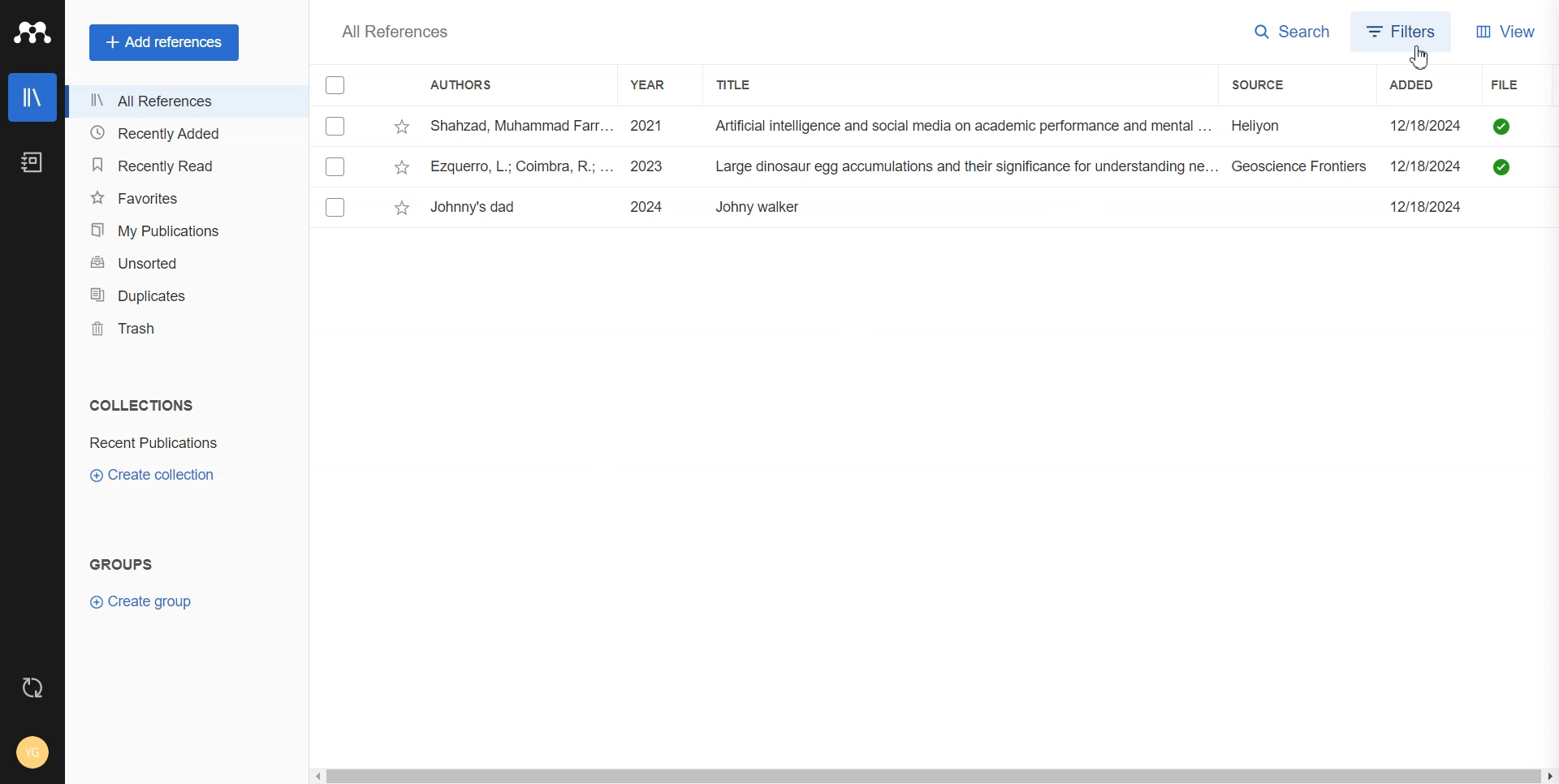  What do you see at coordinates (402, 167) in the screenshot?
I see `star` at bounding box center [402, 167].